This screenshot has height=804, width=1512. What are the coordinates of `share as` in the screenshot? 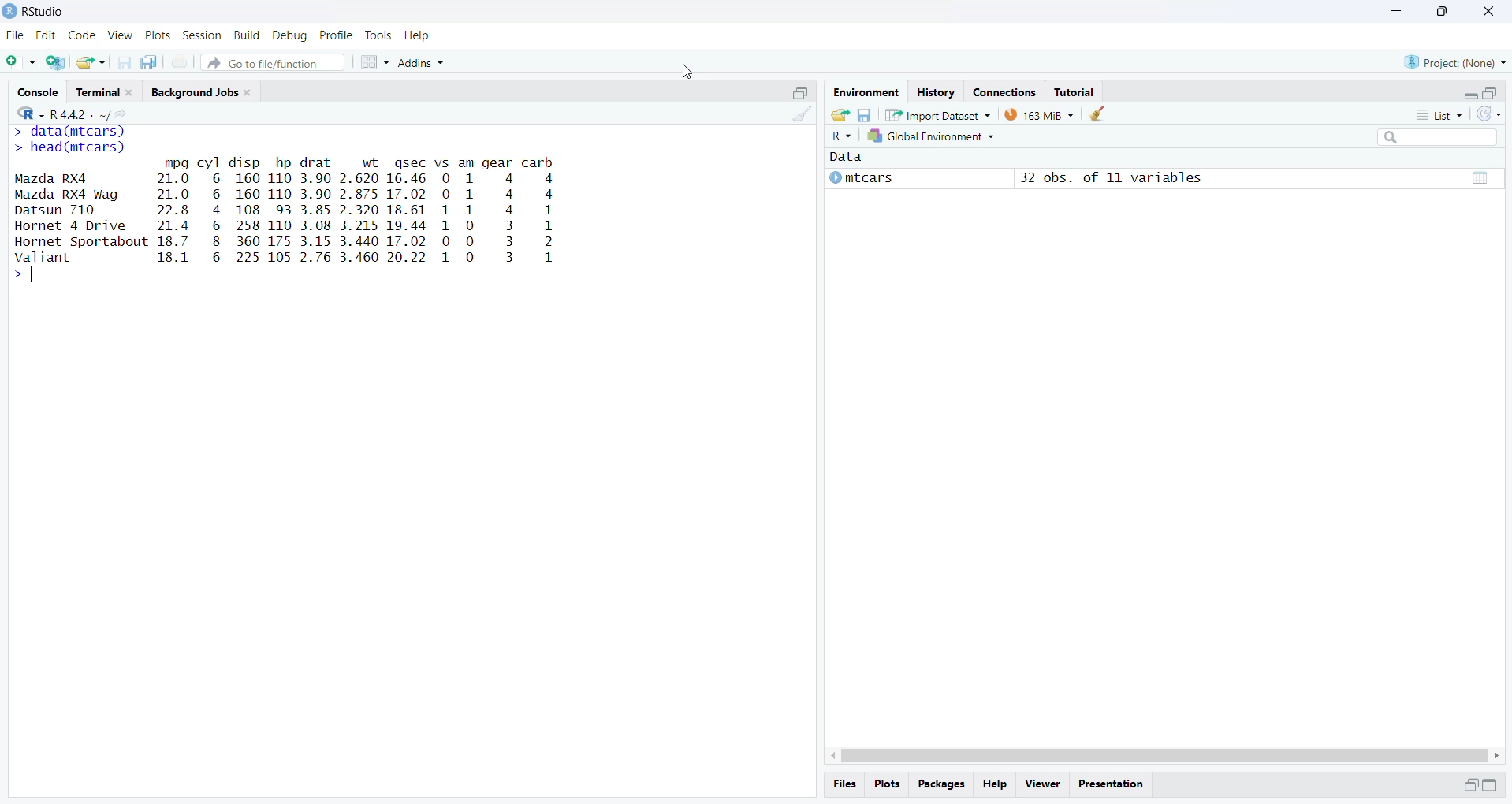 It's located at (91, 62).